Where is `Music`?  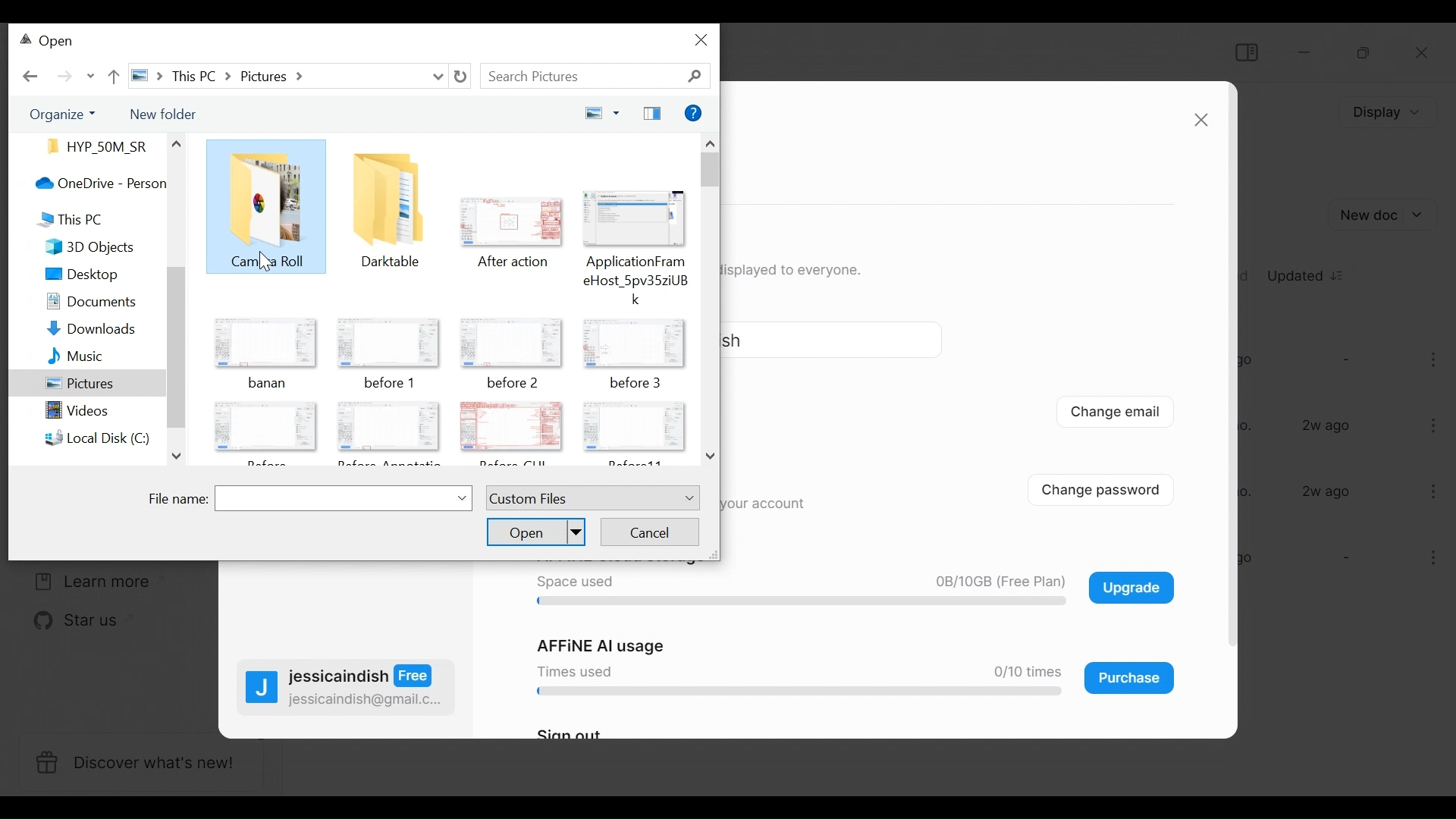 Music is located at coordinates (64, 358).